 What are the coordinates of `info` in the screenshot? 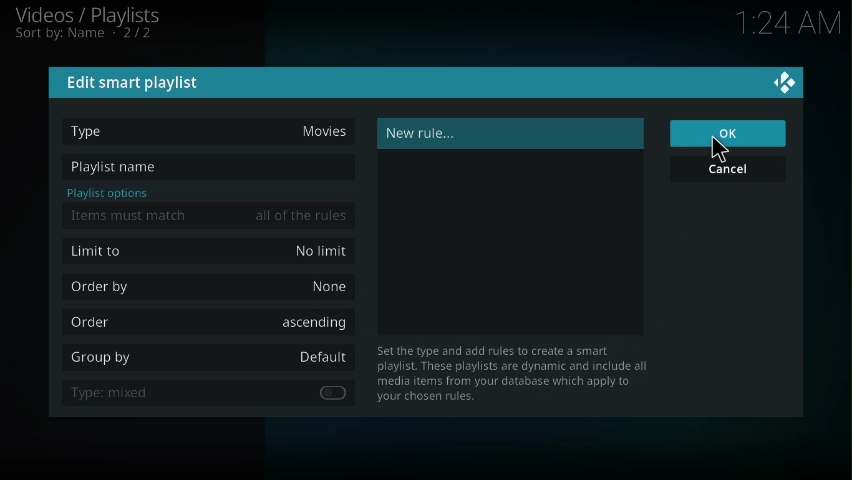 It's located at (512, 373).